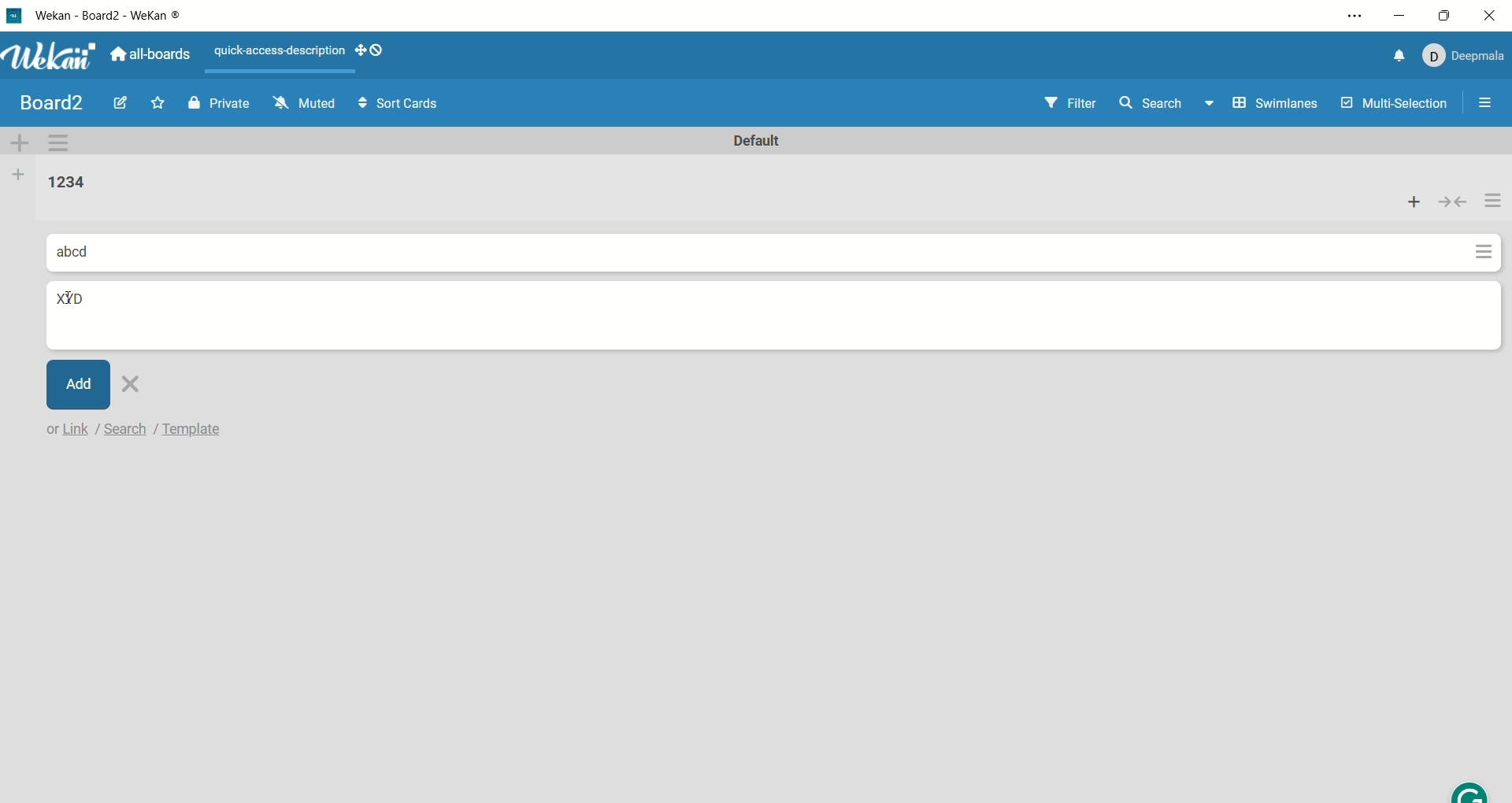  I want to click on cursor, so click(72, 303).